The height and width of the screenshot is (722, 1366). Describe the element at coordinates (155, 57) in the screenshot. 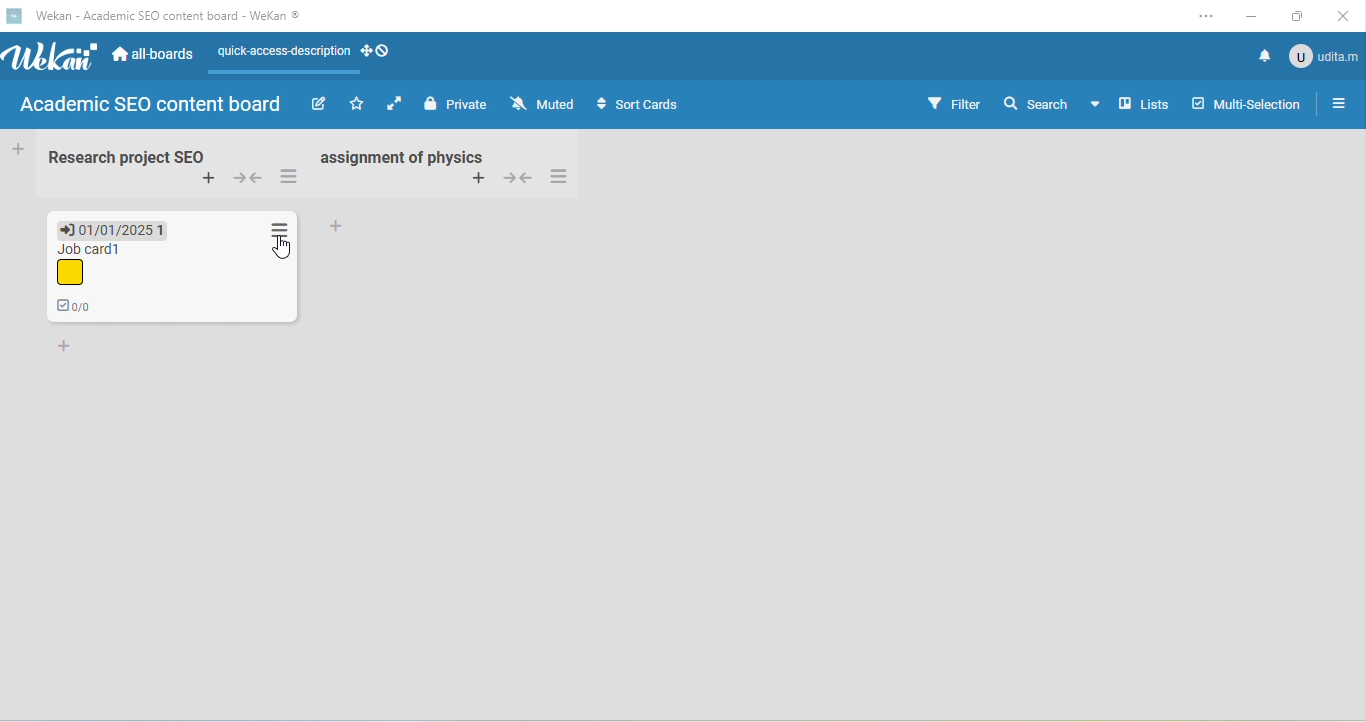

I see `all boards` at that location.